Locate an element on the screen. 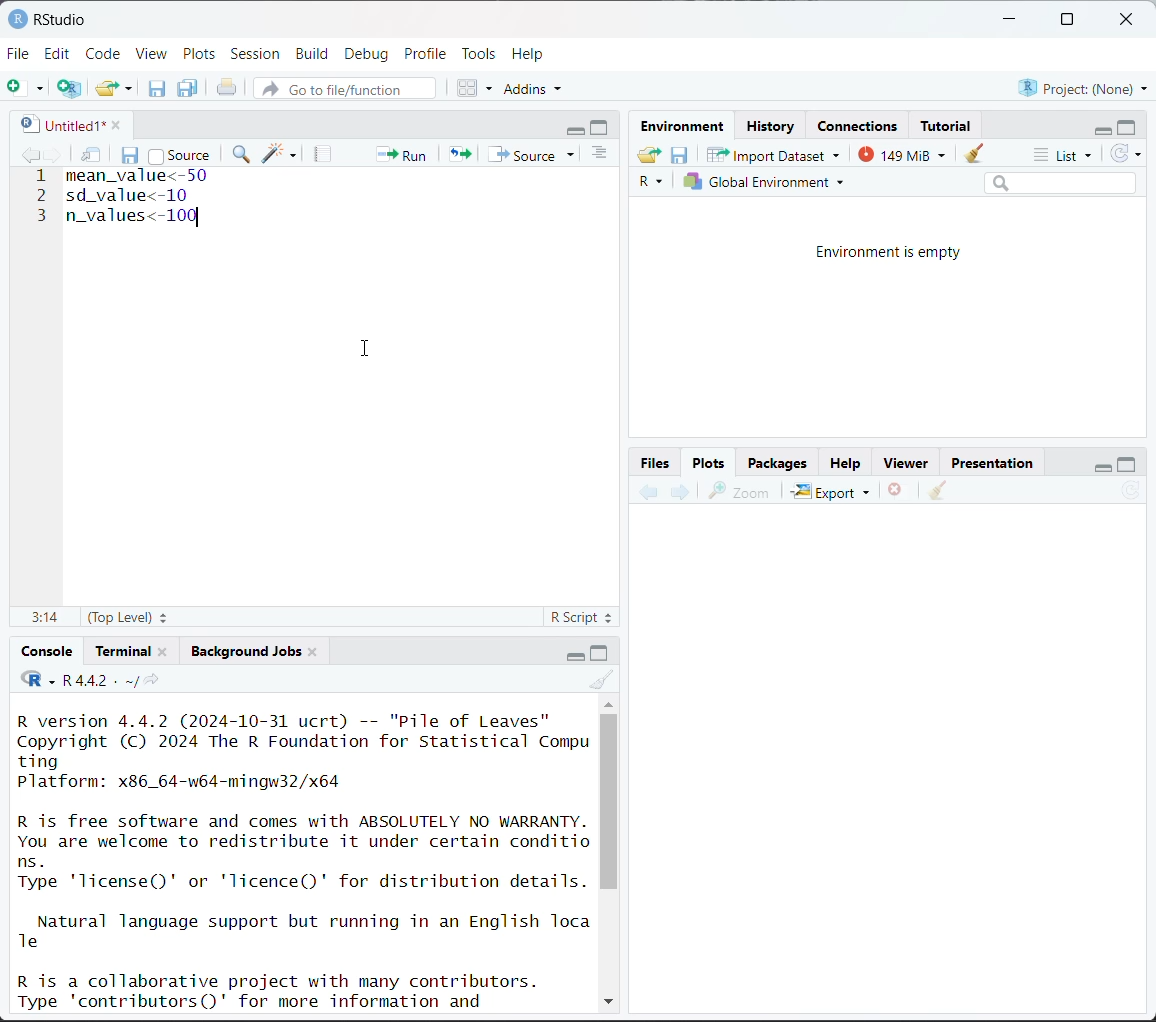 This screenshot has width=1156, height=1022. Export is located at coordinates (832, 491).